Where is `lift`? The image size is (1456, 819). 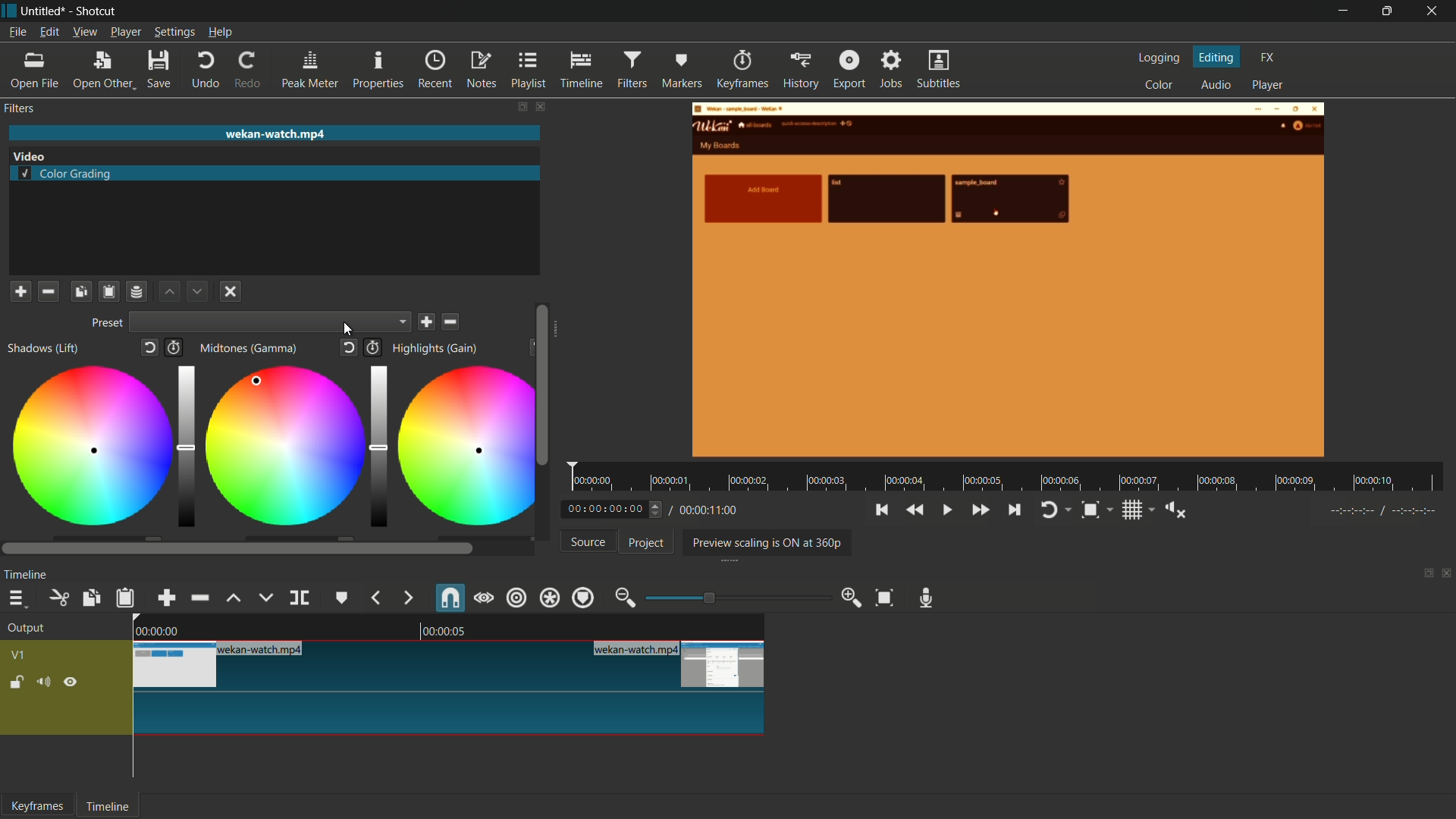 lift is located at coordinates (234, 598).